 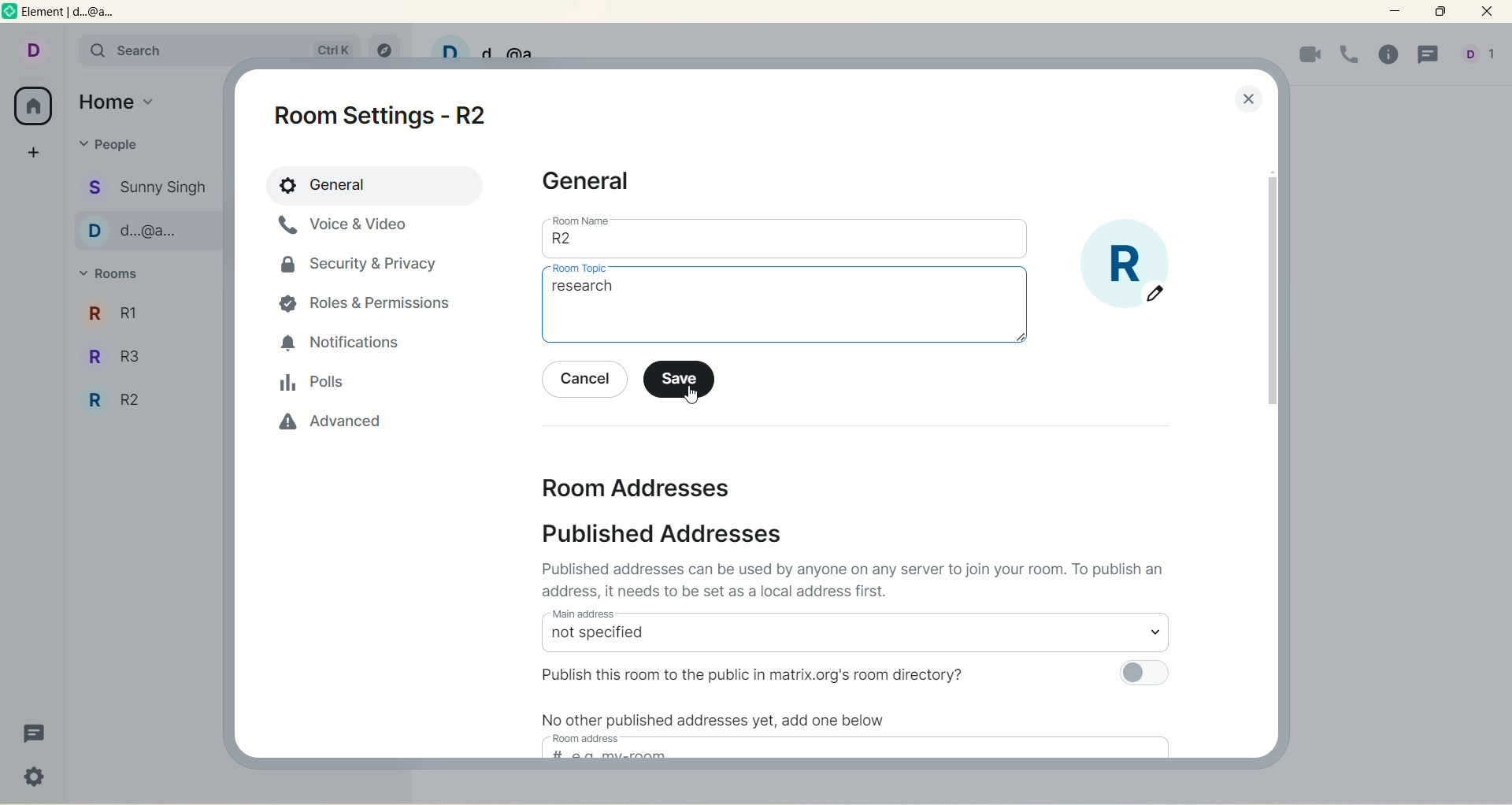 I want to click on search, so click(x=152, y=51).